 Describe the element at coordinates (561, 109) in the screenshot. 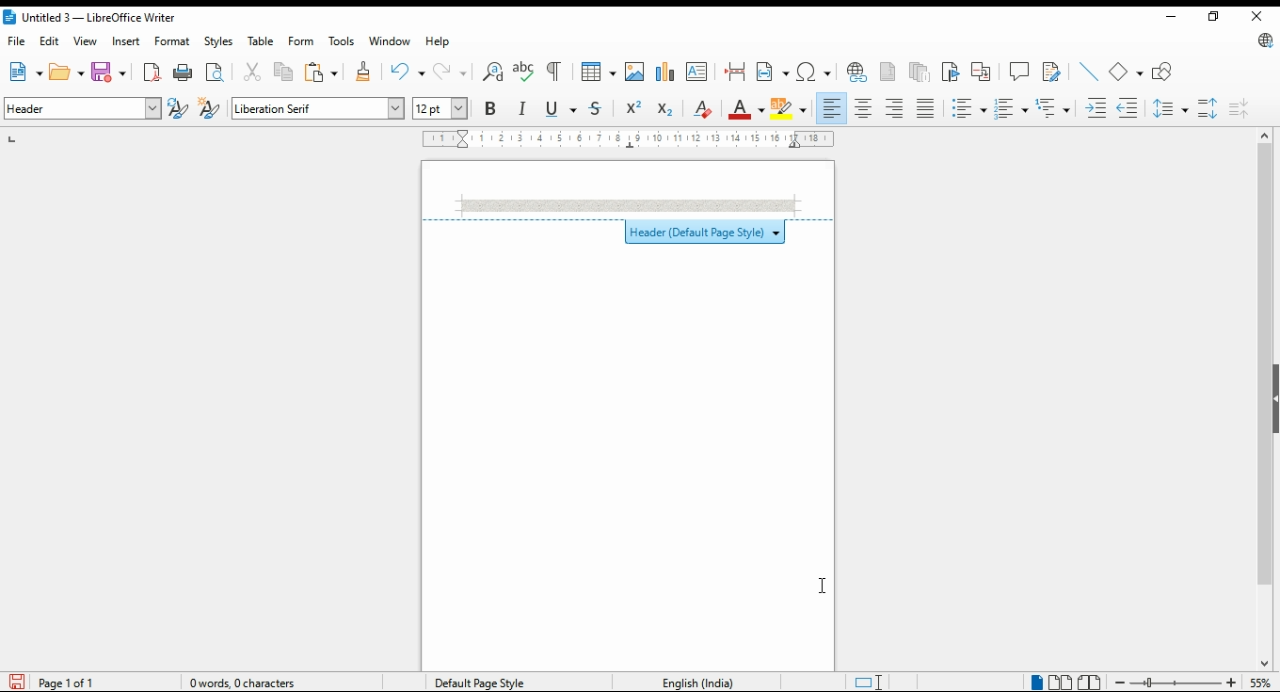

I see `underline` at that location.